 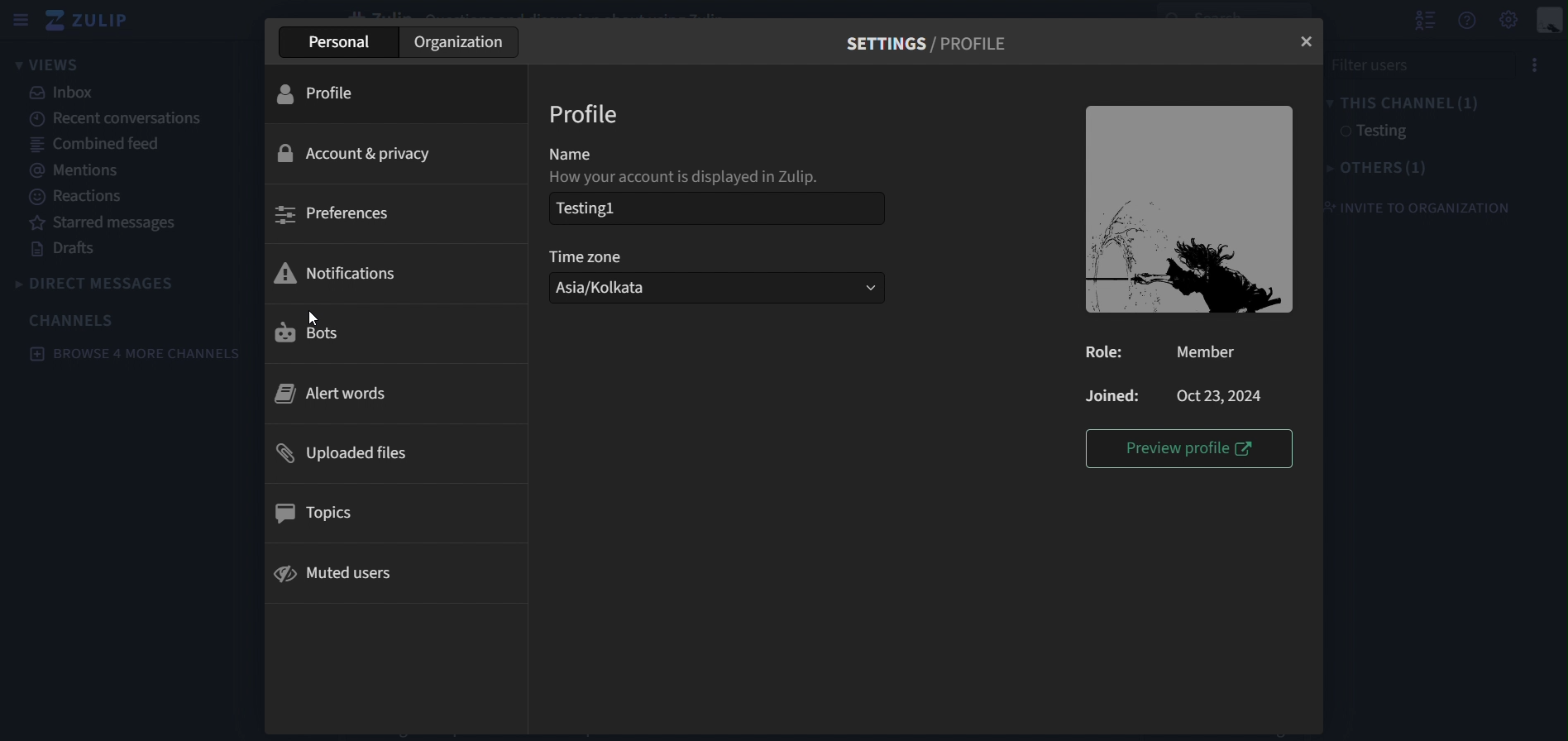 What do you see at coordinates (327, 93) in the screenshot?
I see `profile` at bounding box center [327, 93].